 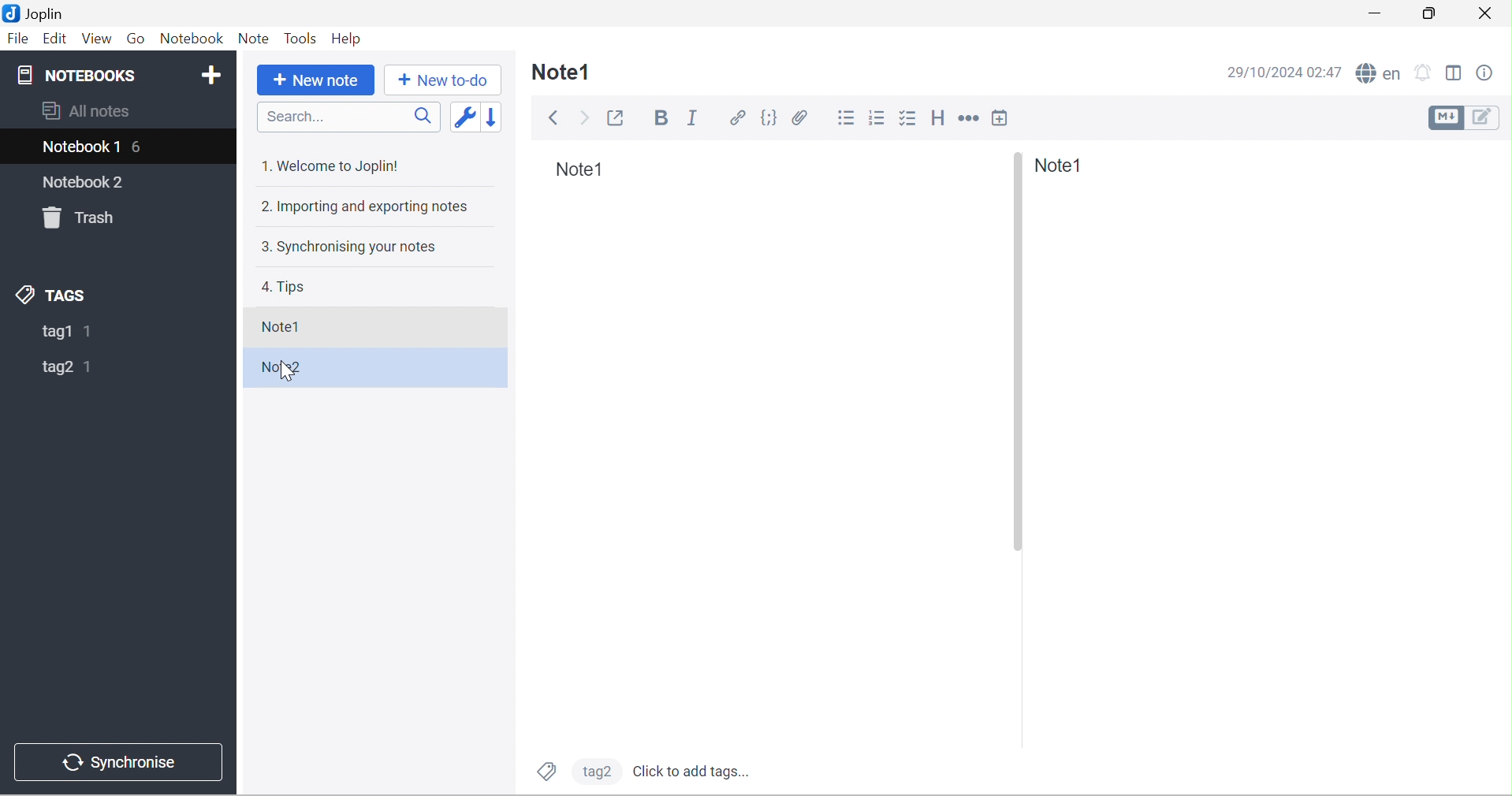 I want to click on 6, so click(x=141, y=147).